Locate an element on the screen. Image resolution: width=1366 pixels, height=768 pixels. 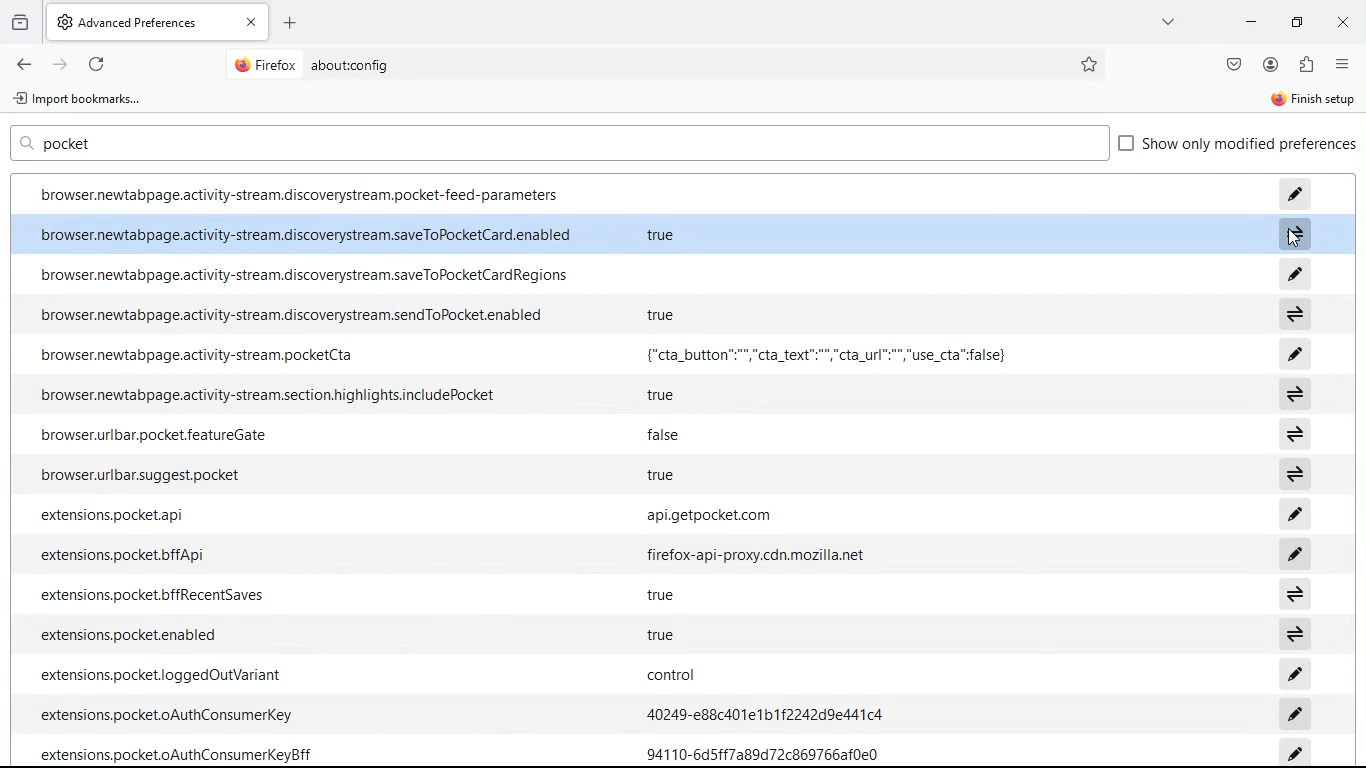
edit is located at coordinates (1295, 515).